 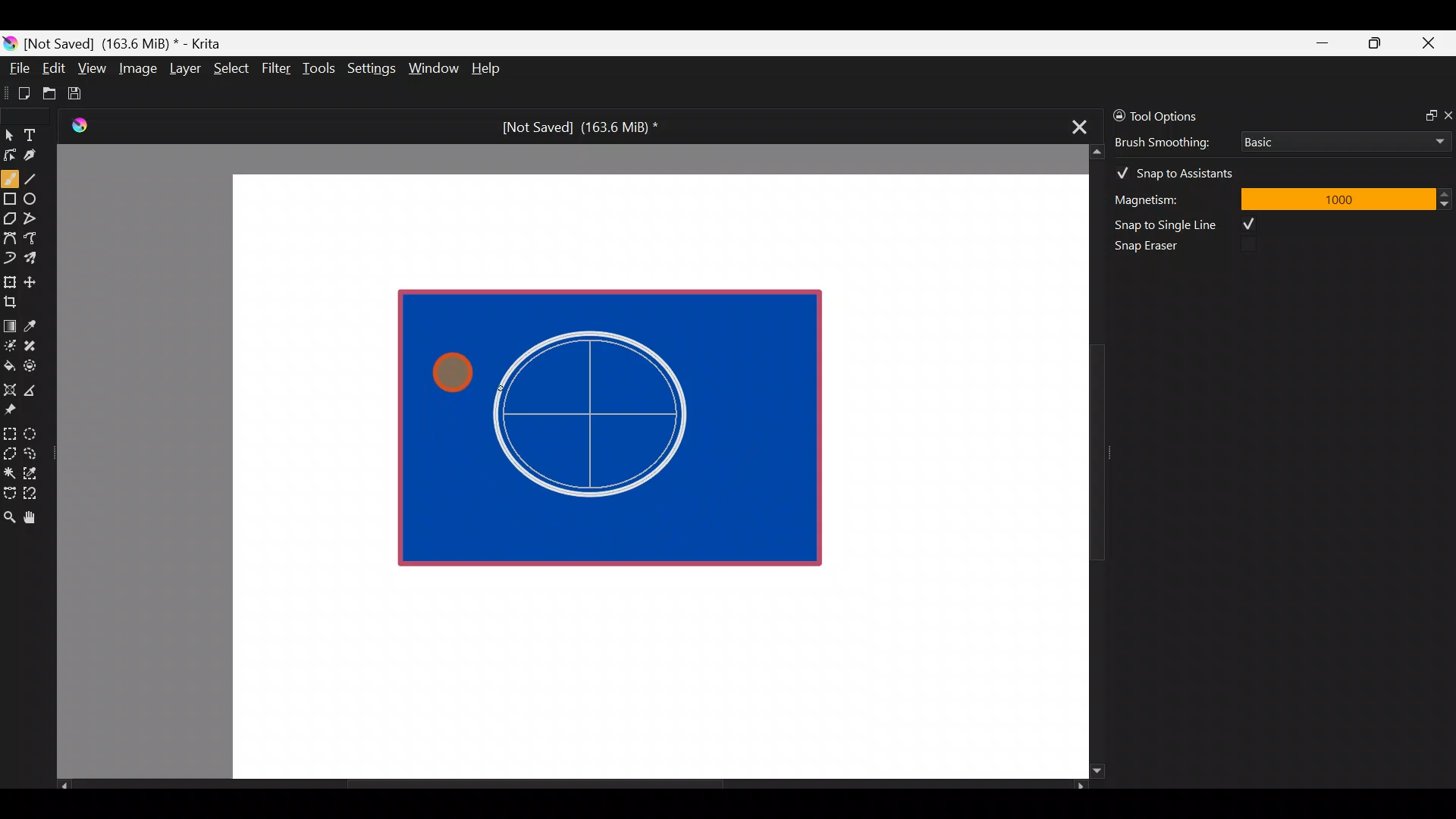 What do you see at coordinates (1116, 113) in the screenshot?
I see `Lock/unlock docker` at bounding box center [1116, 113].